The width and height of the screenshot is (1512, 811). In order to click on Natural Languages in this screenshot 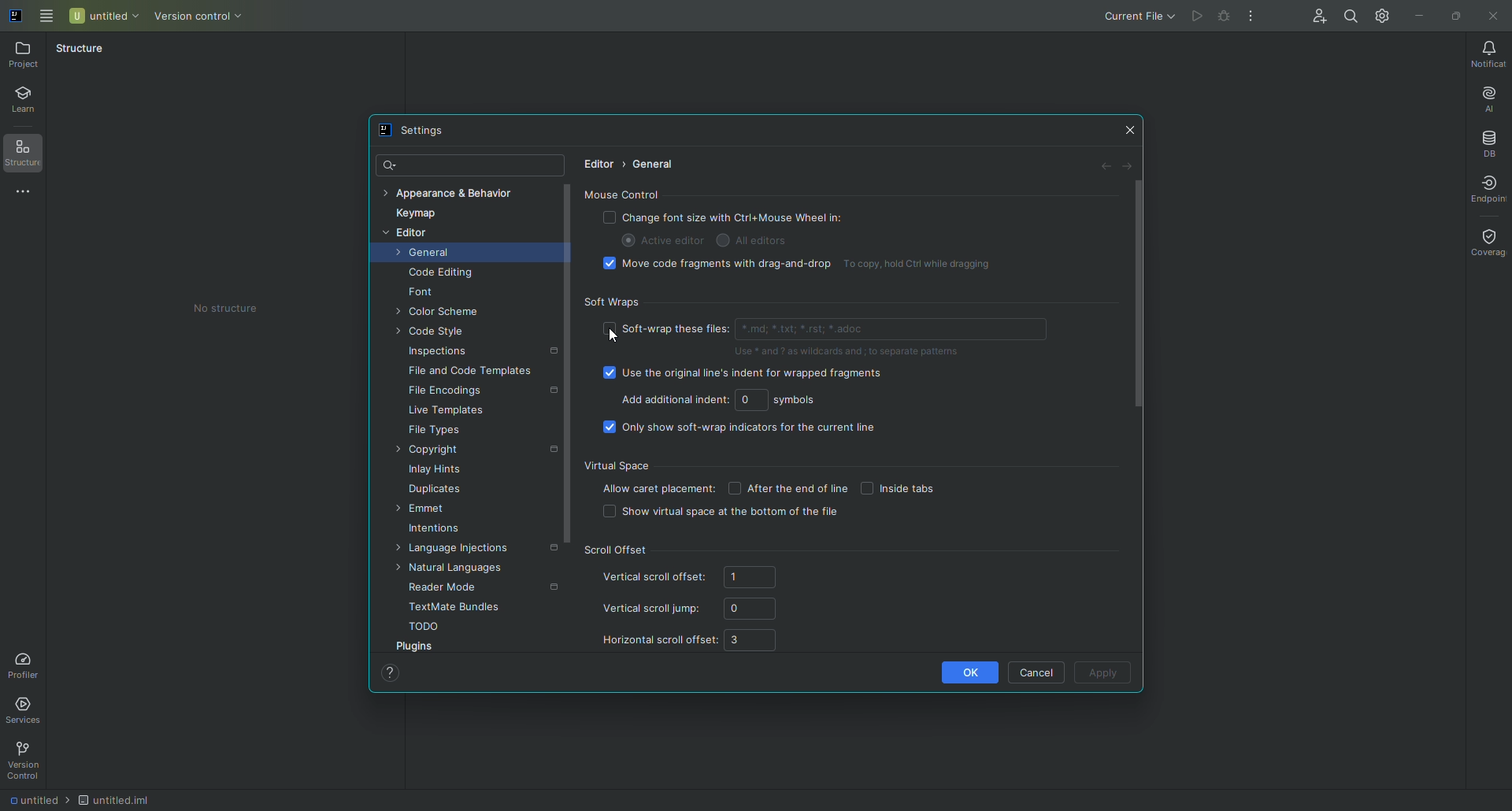, I will do `click(458, 568)`.